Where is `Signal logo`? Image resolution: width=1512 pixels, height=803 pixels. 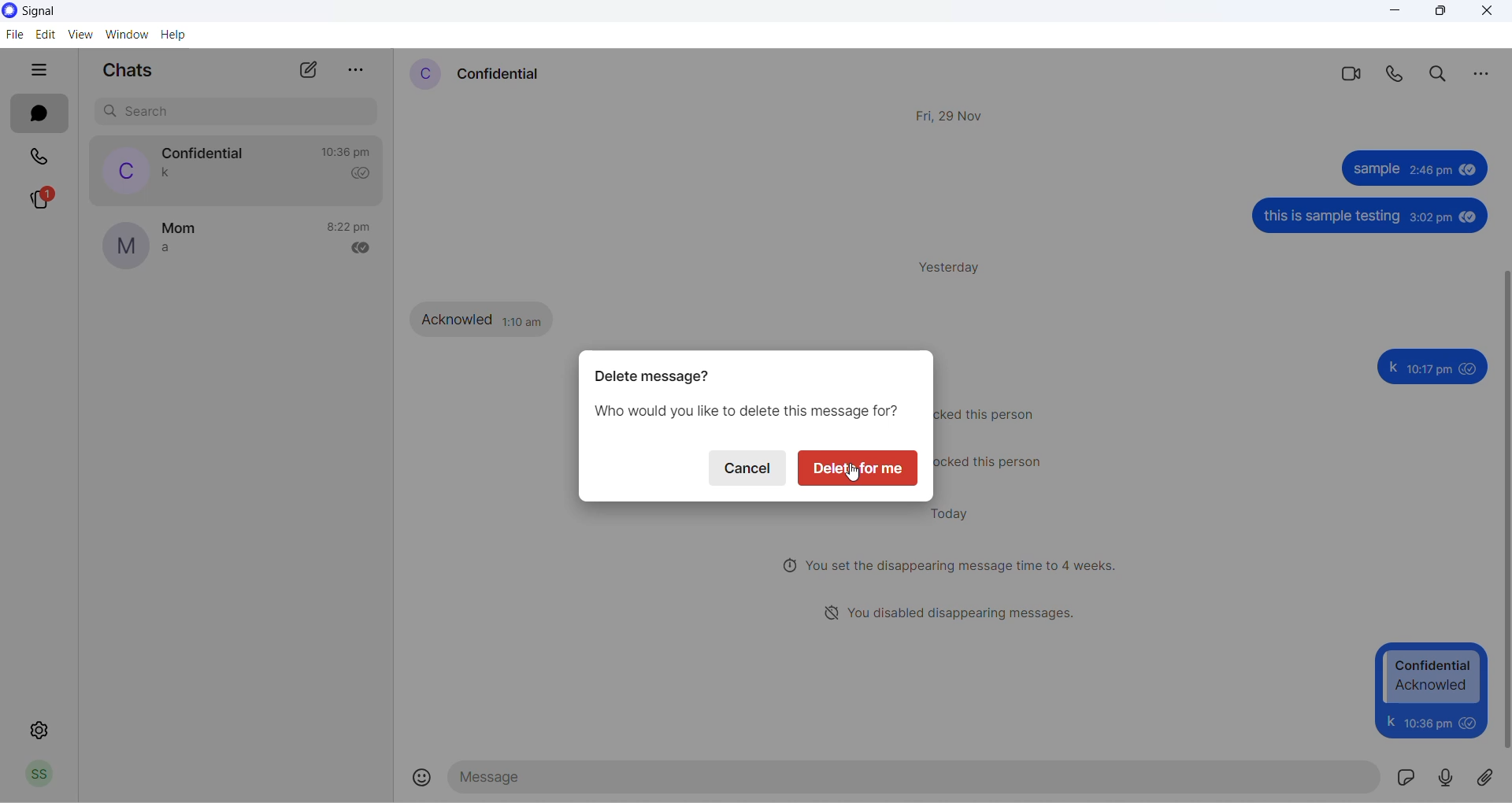 Signal logo is located at coordinates (53, 12).